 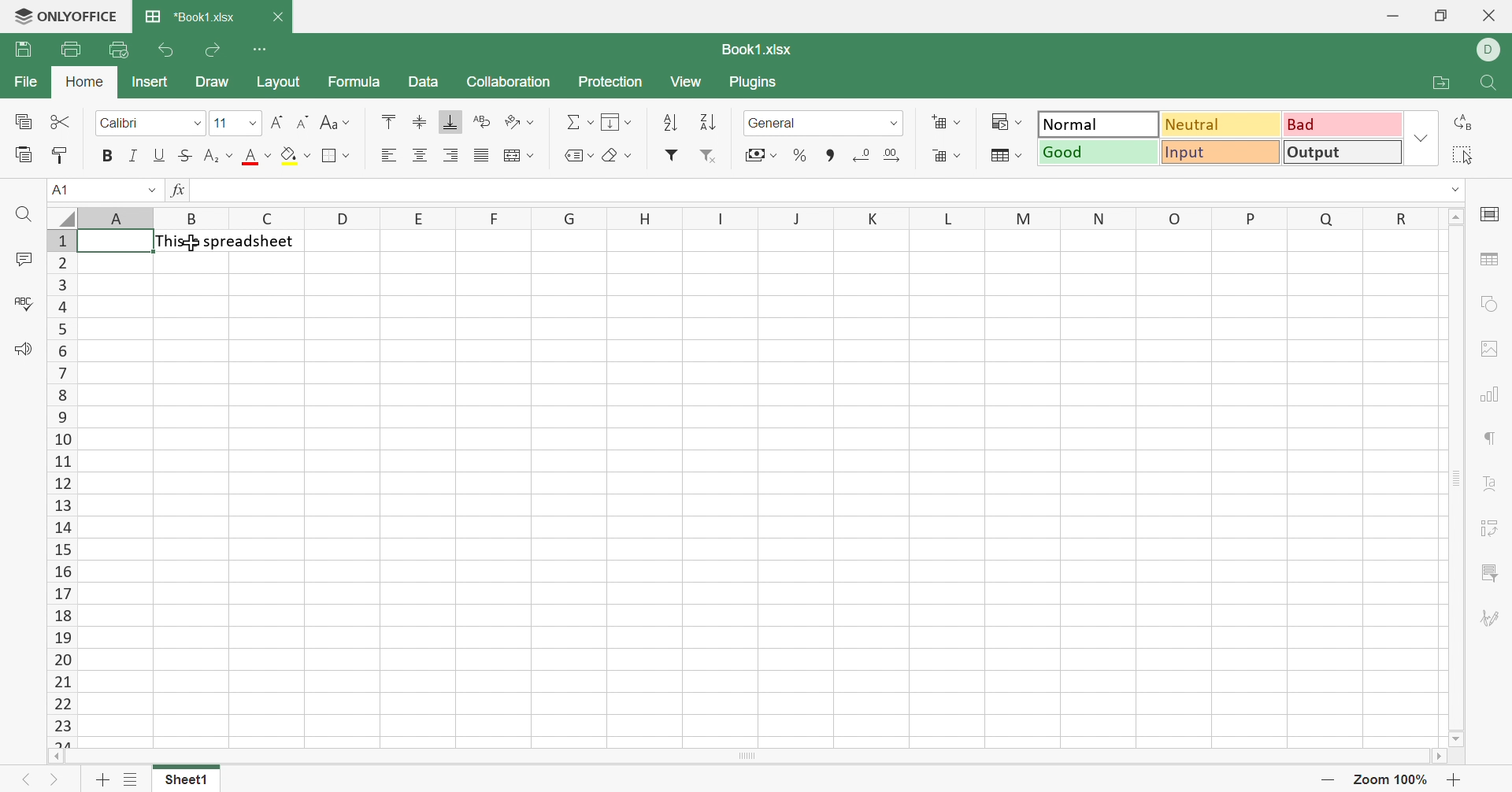 What do you see at coordinates (159, 154) in the screenshot?
I see `Underline` at bounding box center [159, 154].